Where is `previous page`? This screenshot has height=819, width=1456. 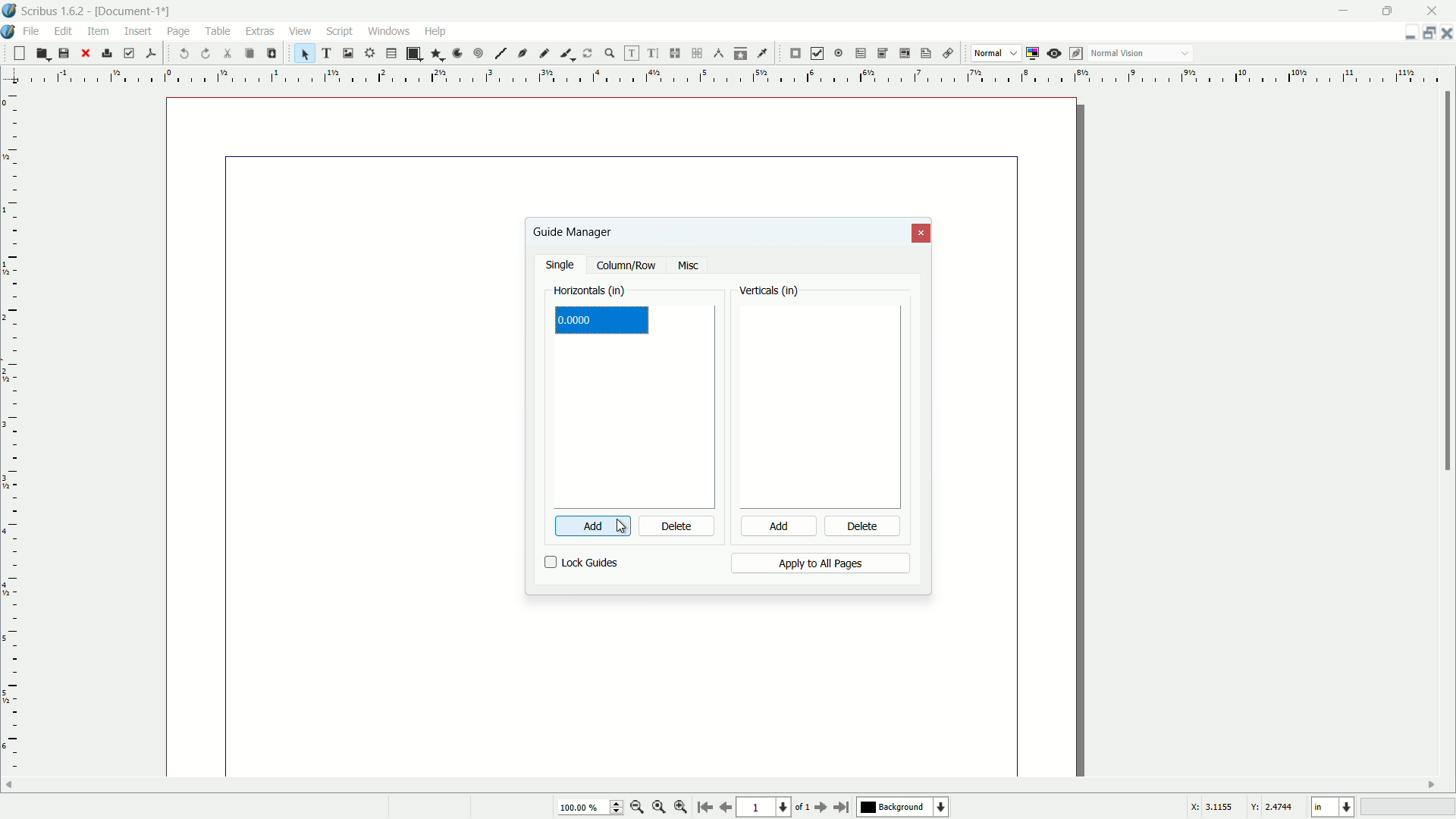
previous page is located at coordinates (725, 808).